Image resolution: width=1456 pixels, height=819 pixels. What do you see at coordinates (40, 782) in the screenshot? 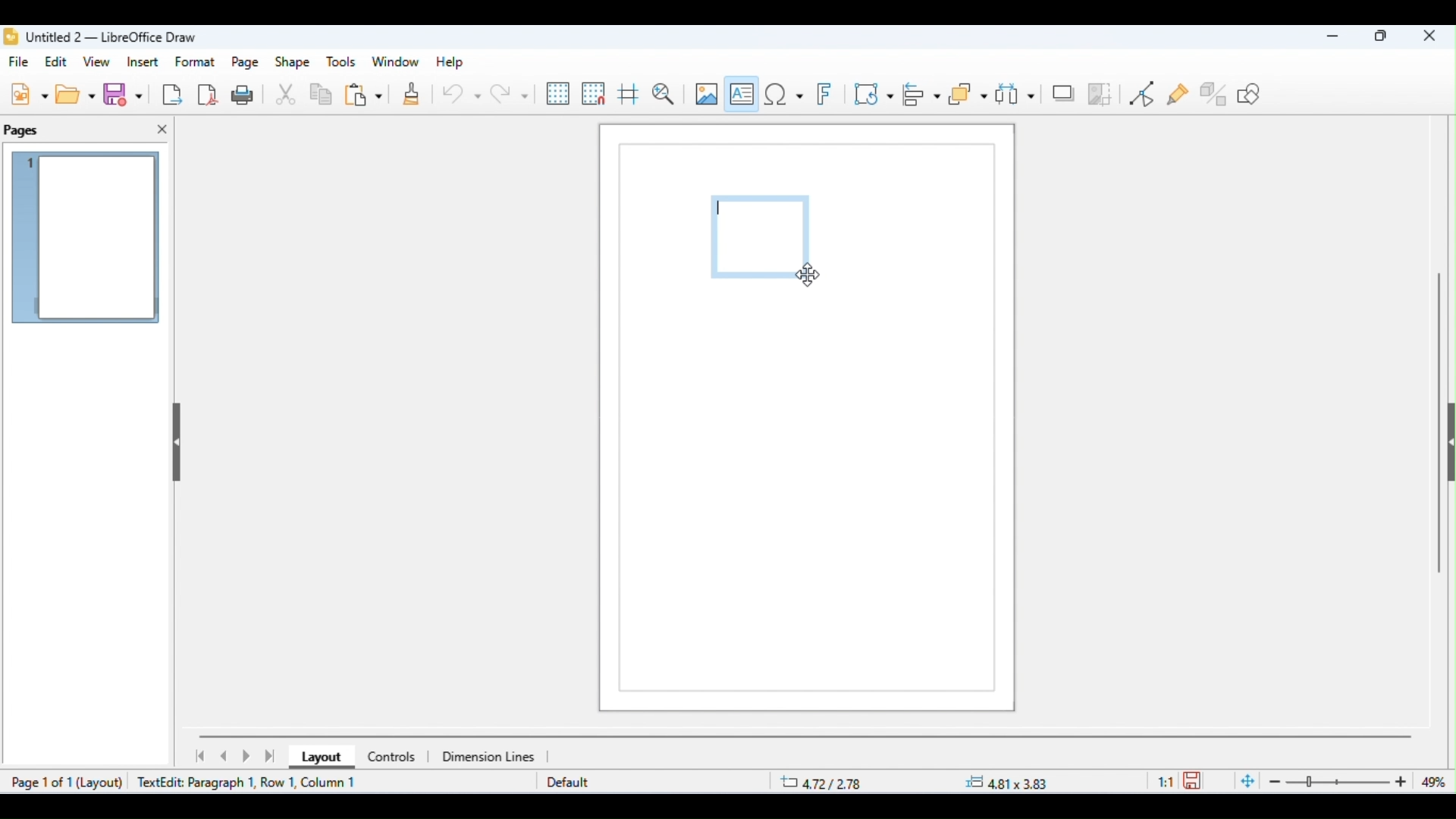
I see `page 1 of 1` at bounding box center [40, 782].